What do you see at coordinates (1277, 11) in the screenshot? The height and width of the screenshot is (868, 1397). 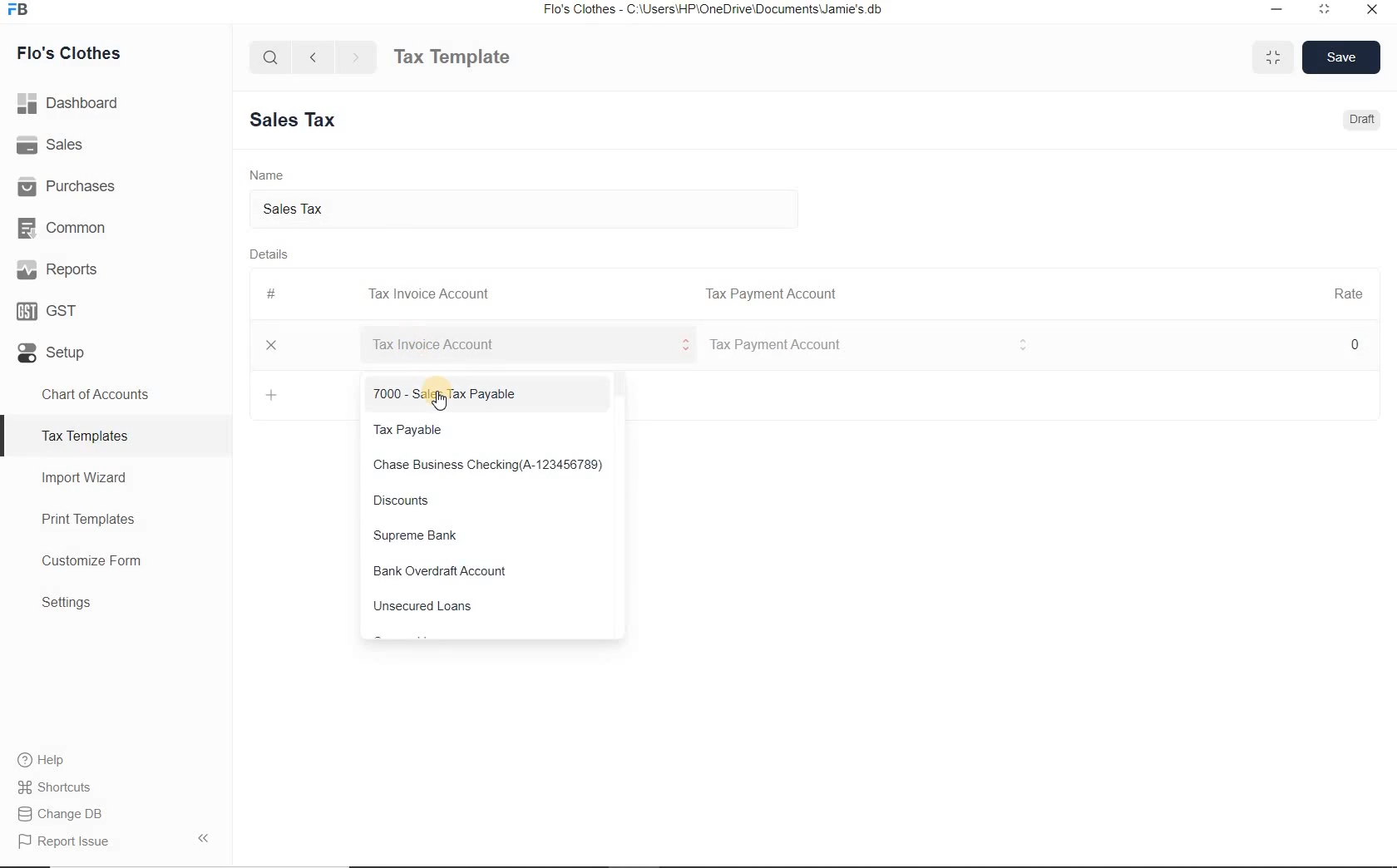 I see `Minimize` at bounding box center [1277, 11].